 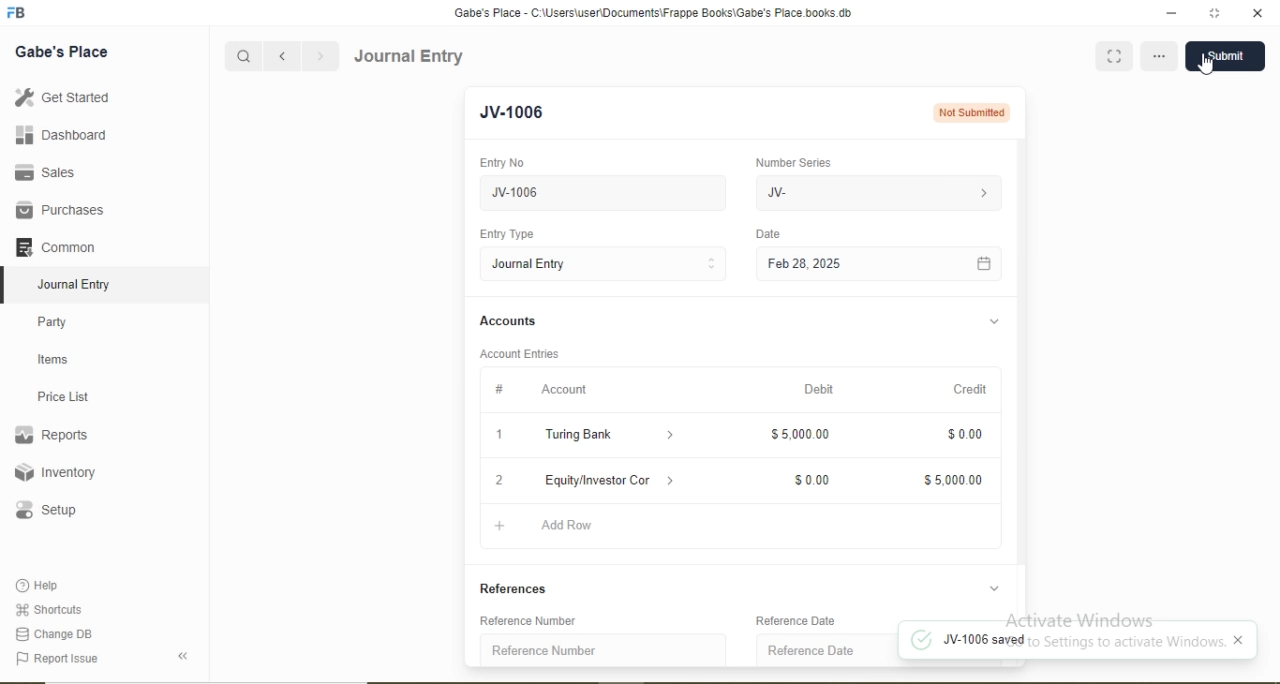 What do you see at coordinates (600, 480) in the screenshot?
I see `Equity/Investor Con` at bounding box center [600, 480].